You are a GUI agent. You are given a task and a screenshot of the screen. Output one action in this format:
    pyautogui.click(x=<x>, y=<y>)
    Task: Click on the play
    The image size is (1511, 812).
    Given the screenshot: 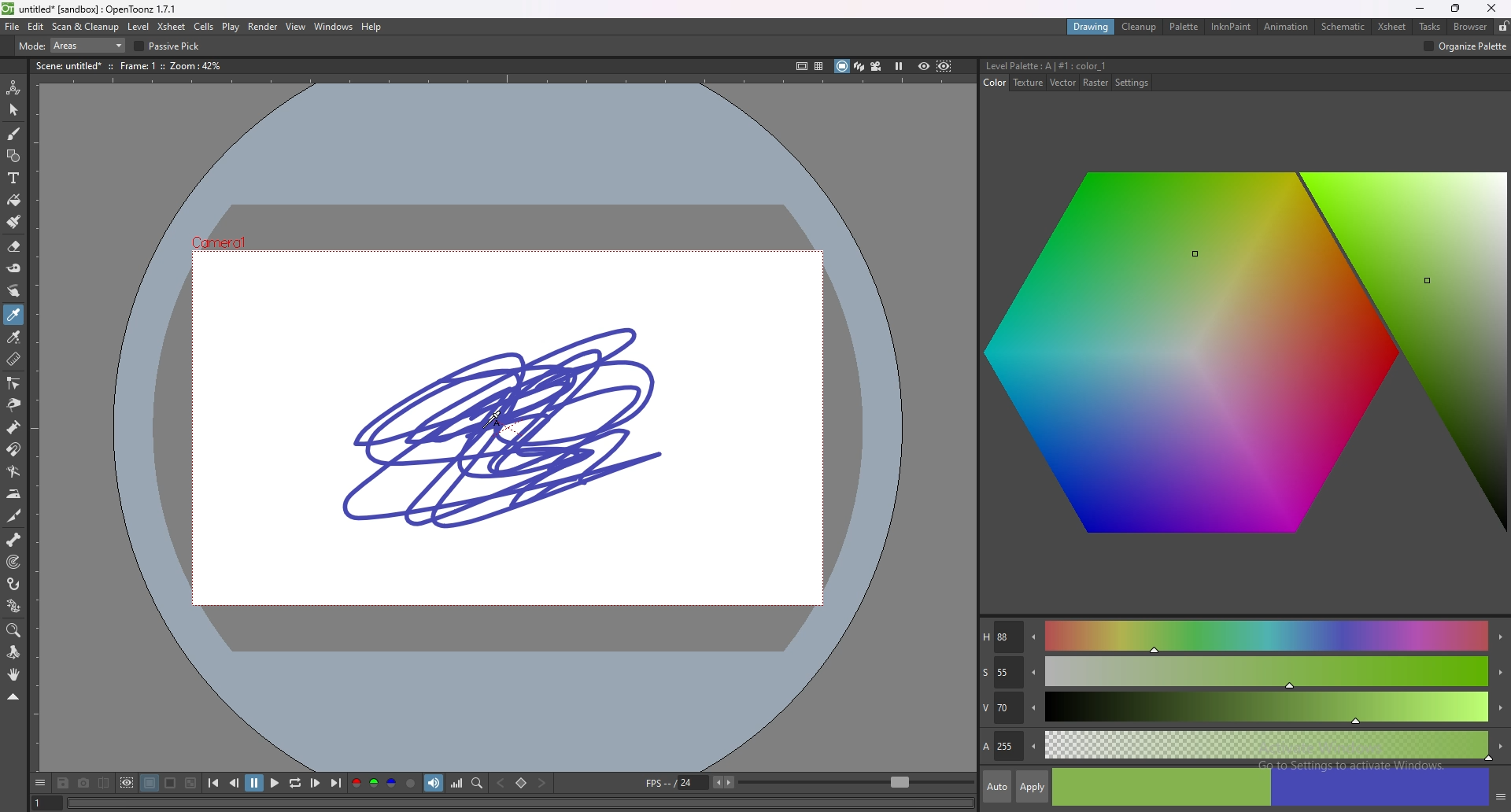 What is the action you would take?
    pyautogui.click(x=275, y=782)
    